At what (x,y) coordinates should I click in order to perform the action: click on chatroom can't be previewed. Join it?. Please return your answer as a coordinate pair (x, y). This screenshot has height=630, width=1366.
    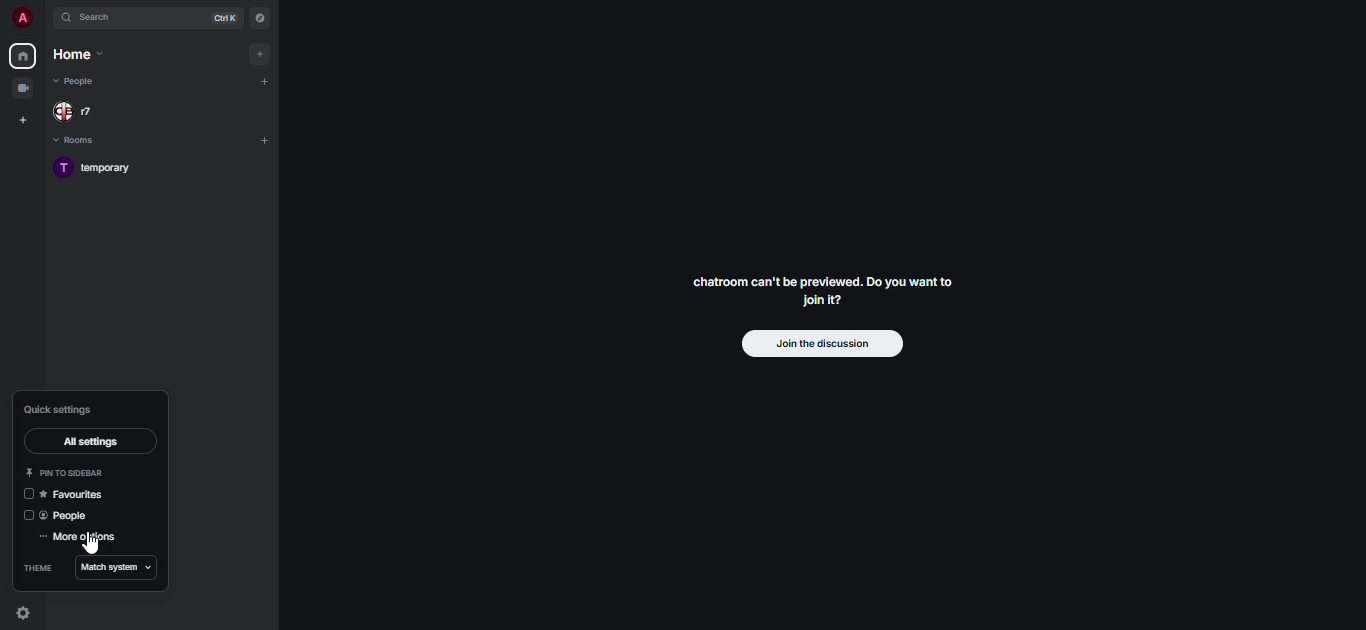
    Looking at the image, I should click on (825, 291).